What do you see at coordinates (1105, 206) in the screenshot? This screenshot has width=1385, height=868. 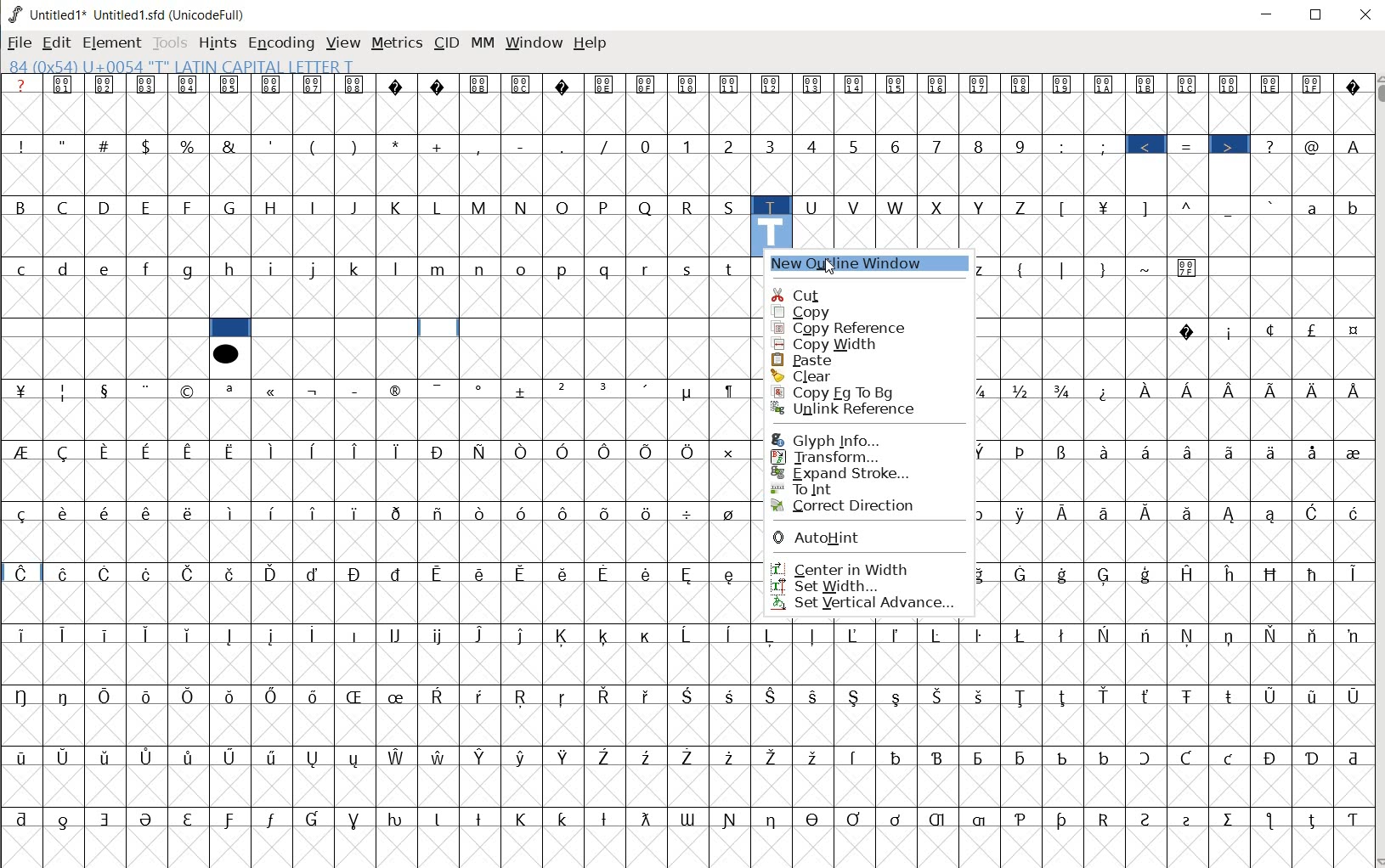 I see `Symbol` at bounding box center [1105, 206].